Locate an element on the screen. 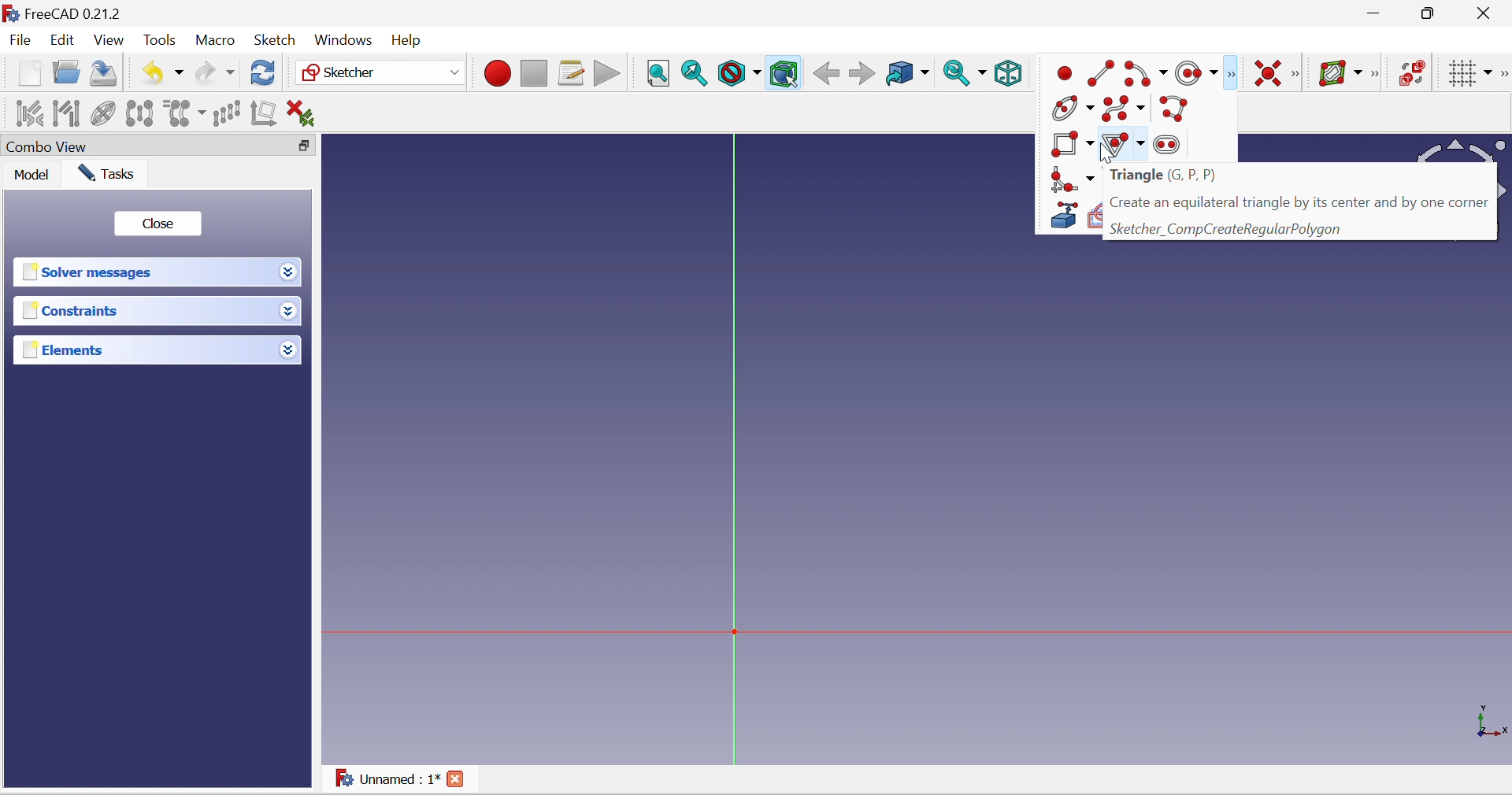  [Sketcher constraints] is located at coordinates (1295, 75).